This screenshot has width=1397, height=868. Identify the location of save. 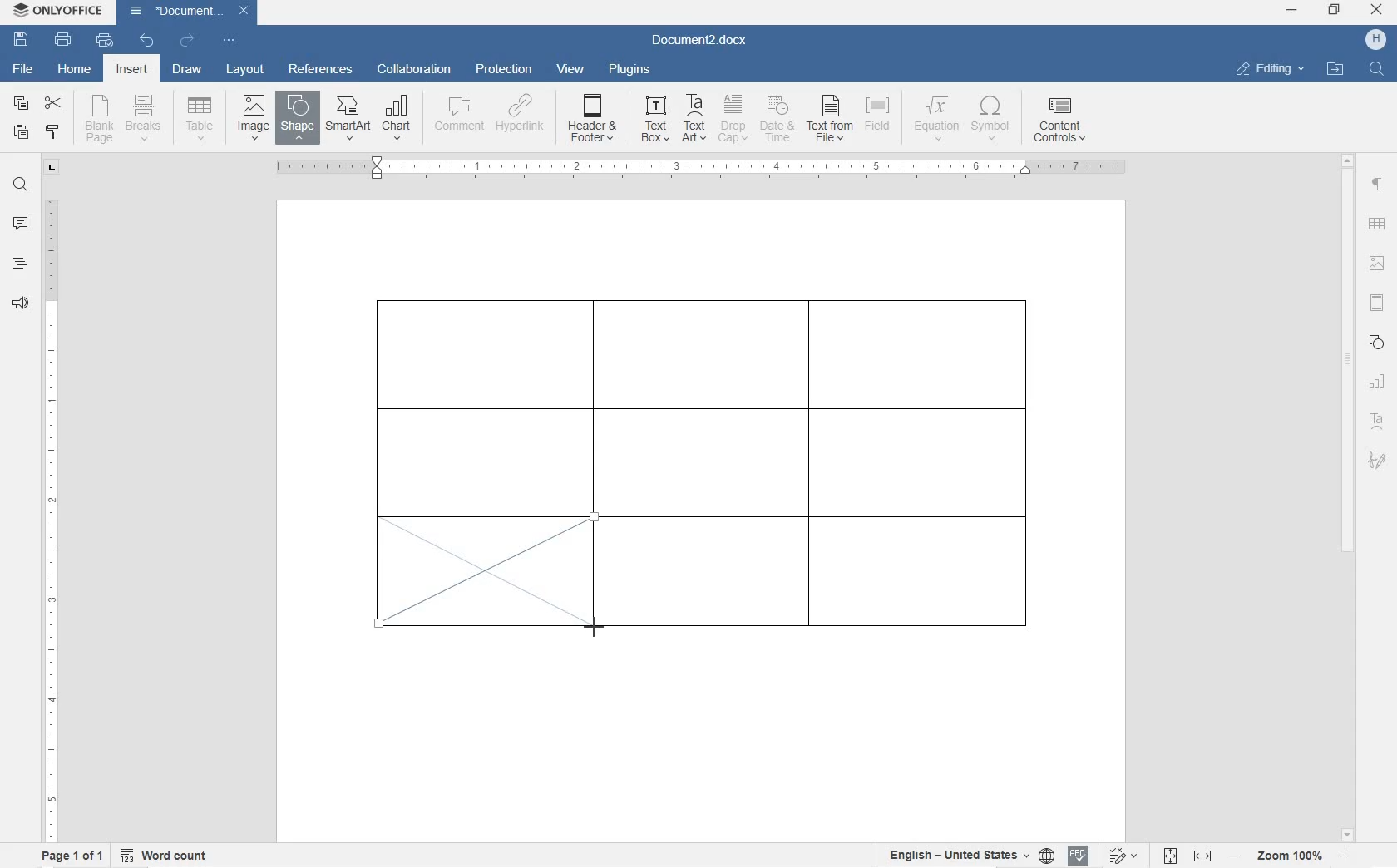
(22, 40).